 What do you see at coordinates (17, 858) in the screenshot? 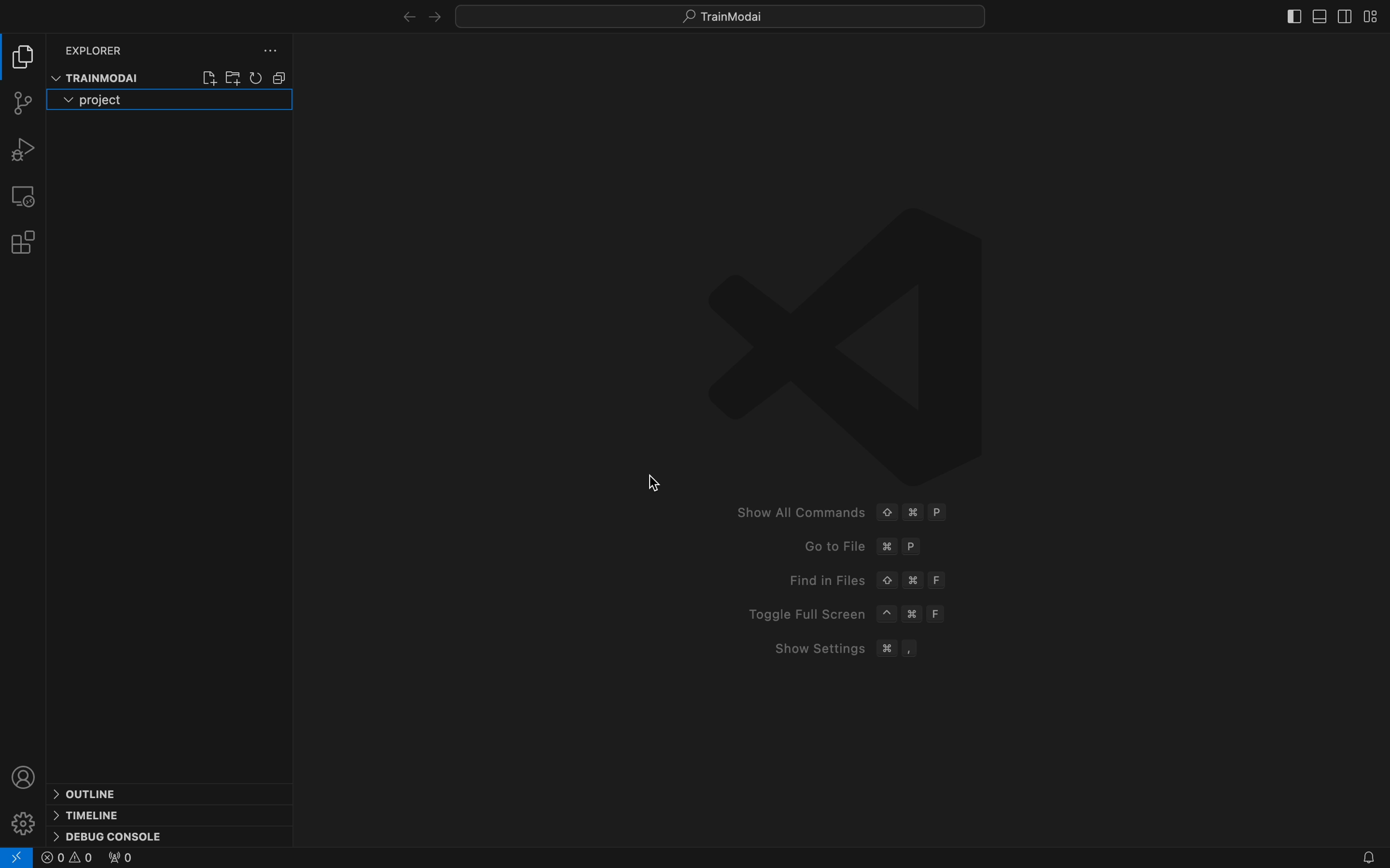
I see `error logs` at bounding box center [17, 858].